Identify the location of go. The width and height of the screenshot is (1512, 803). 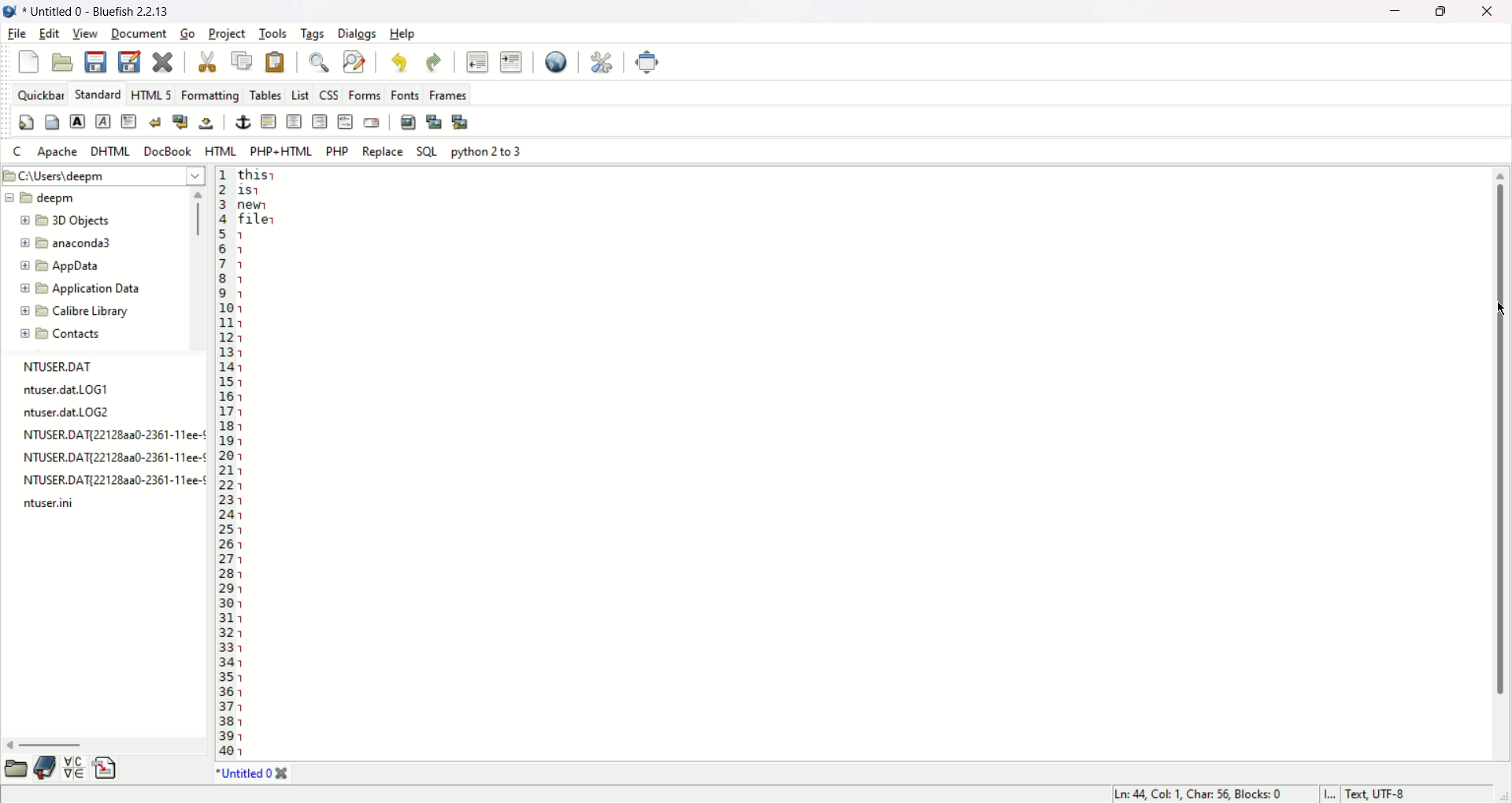
(187, 35).